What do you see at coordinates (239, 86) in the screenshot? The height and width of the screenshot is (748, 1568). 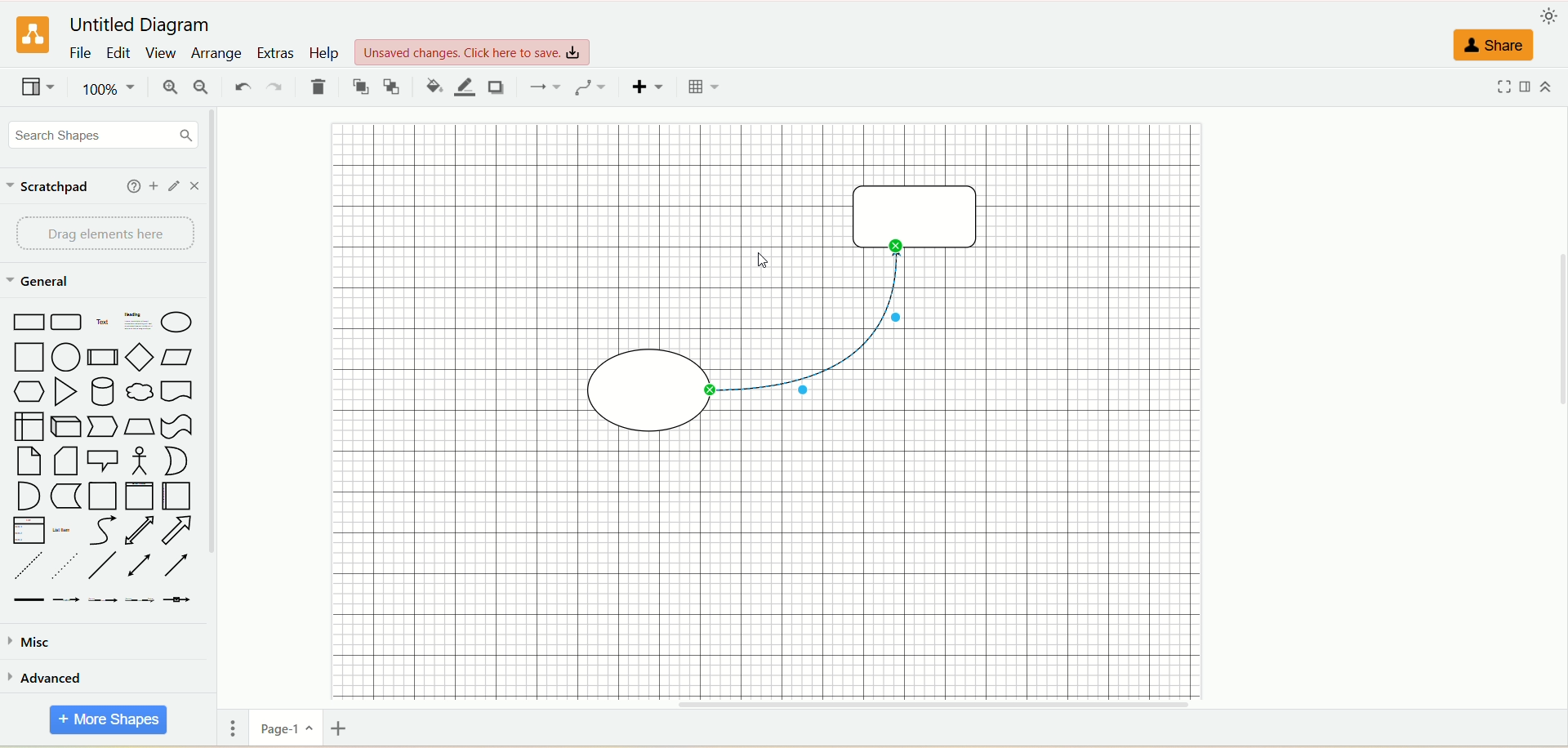 I see `undo` at bounding box center [239, 86].